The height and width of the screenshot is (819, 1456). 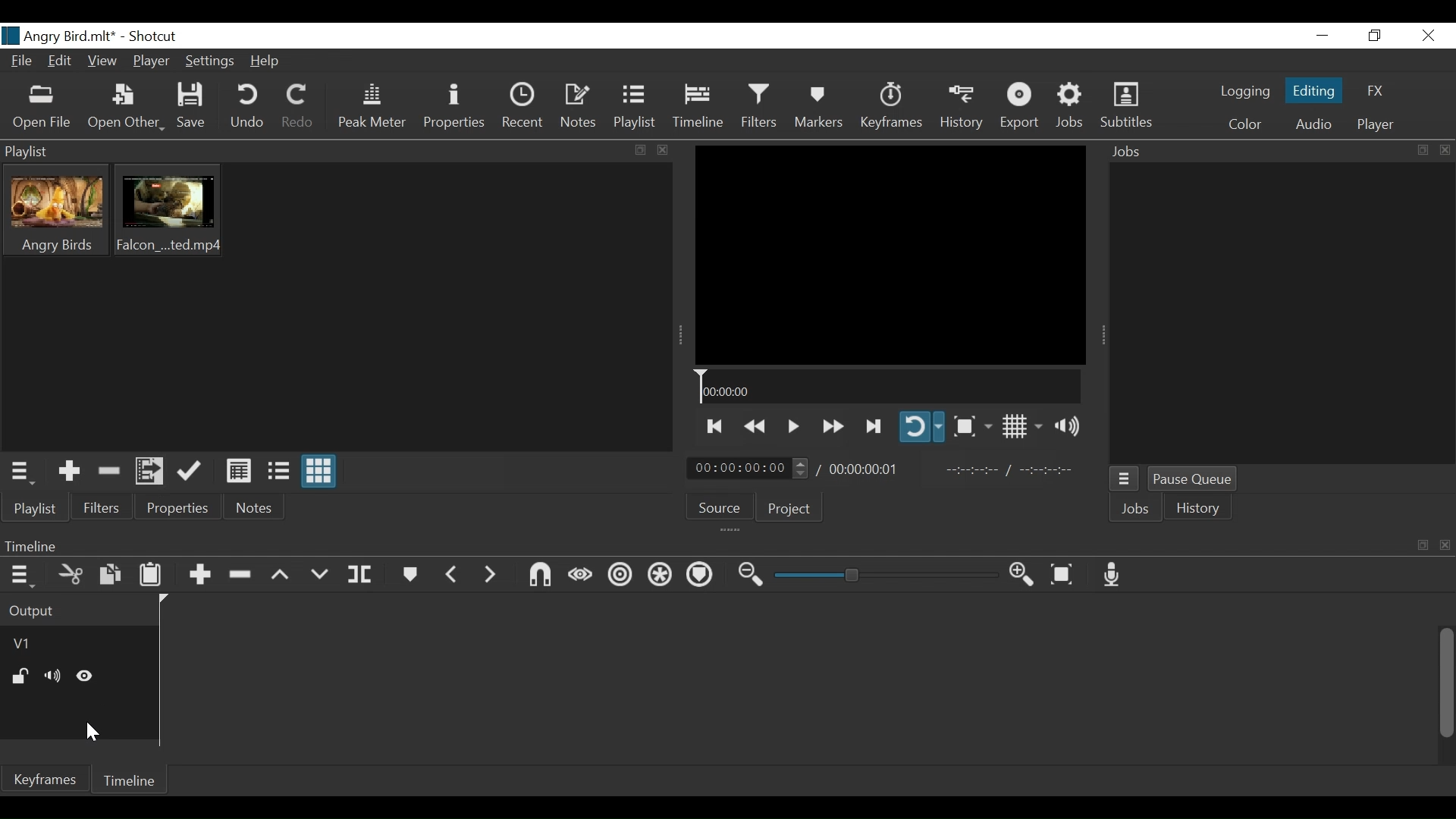 I want to click on Copy, so click(x=111, y=576).